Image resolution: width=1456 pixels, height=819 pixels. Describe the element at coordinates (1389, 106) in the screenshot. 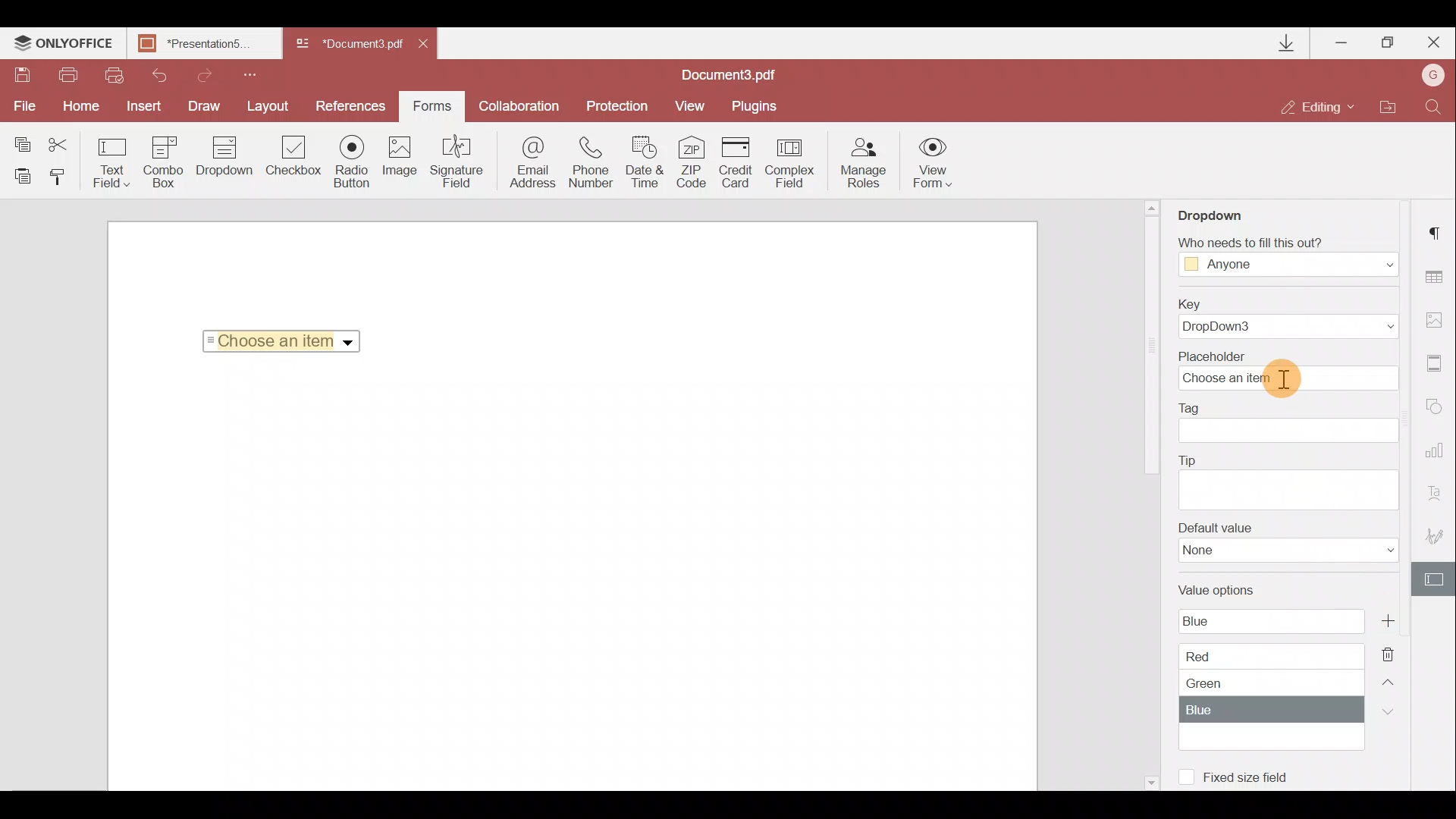

I see `Open file location` at that location.